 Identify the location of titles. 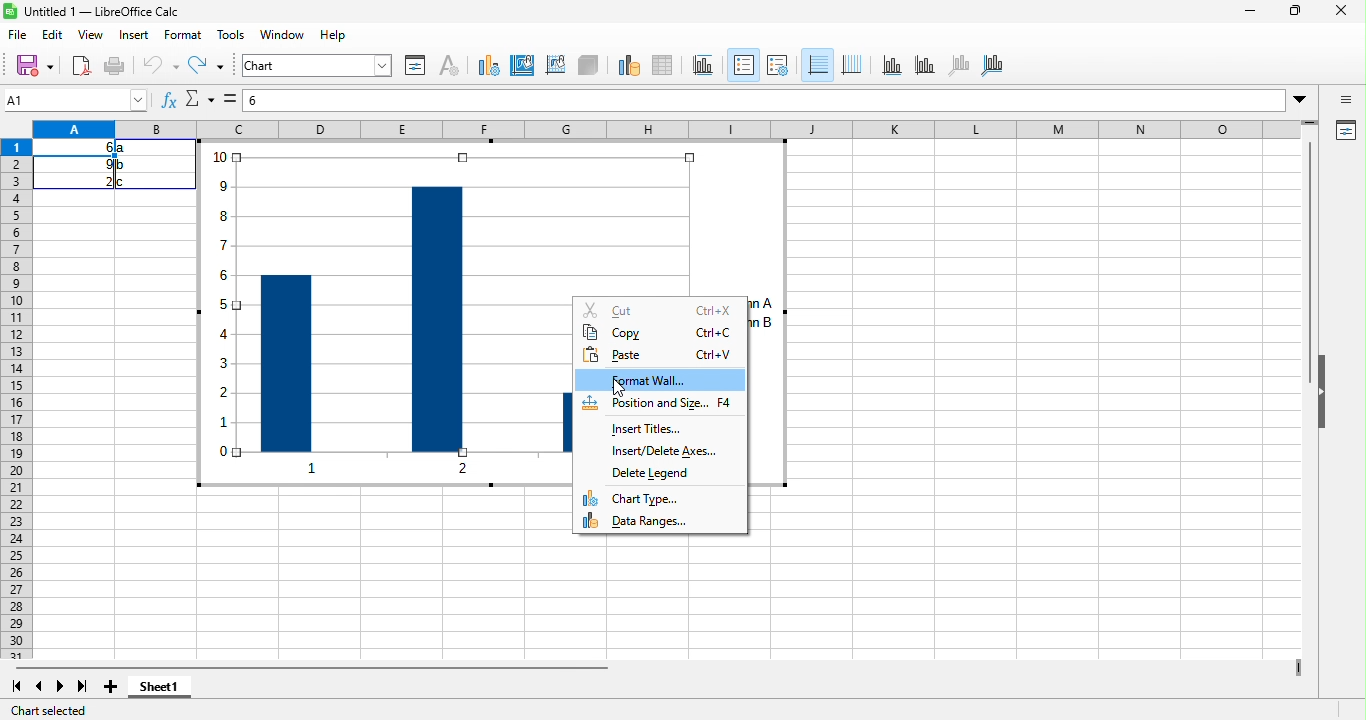
(700, 65).